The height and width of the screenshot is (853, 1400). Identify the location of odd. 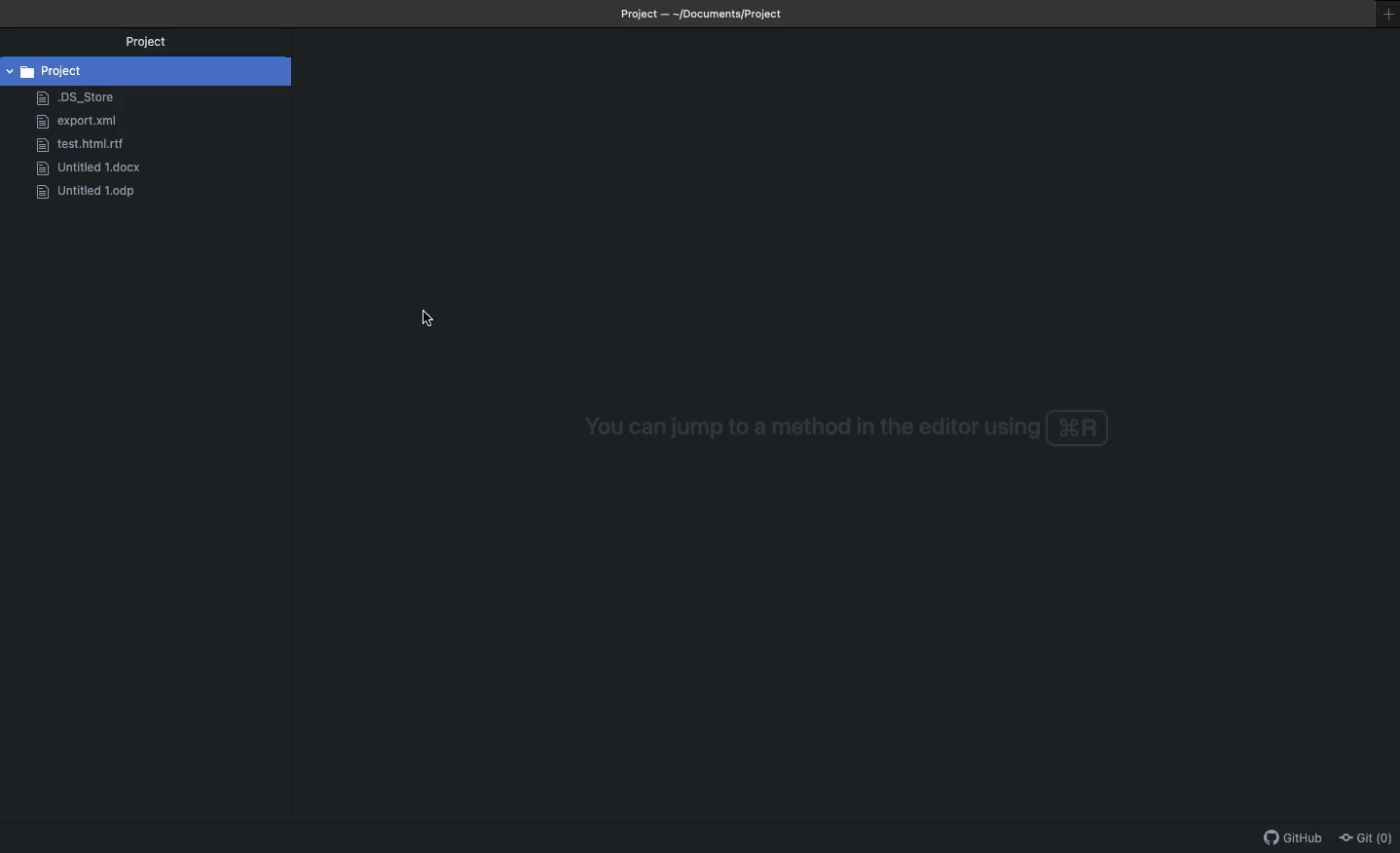
(82, 192).